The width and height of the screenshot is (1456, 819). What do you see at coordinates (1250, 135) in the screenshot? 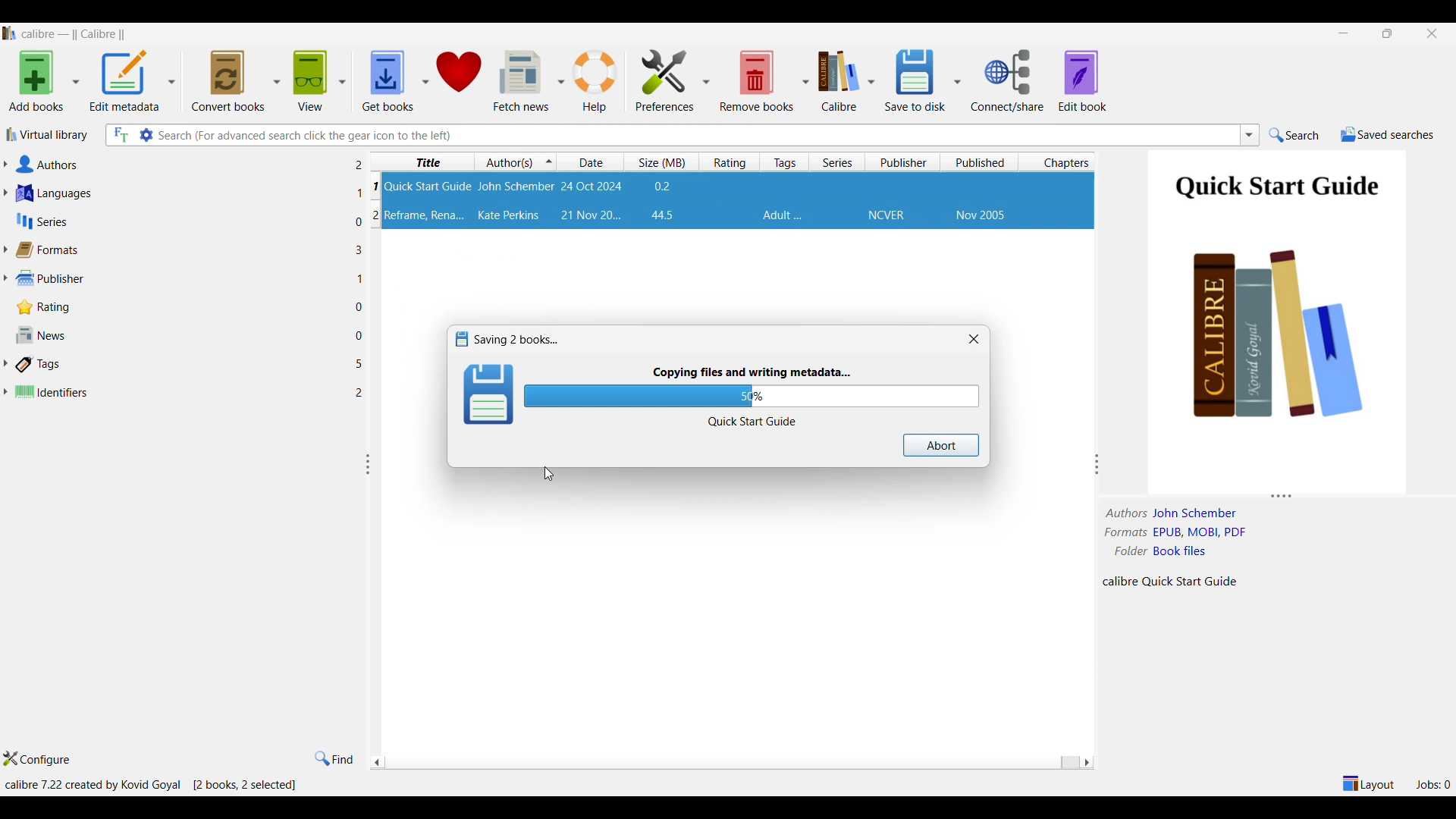
I see `List options` at bounding box center [1250, 135].